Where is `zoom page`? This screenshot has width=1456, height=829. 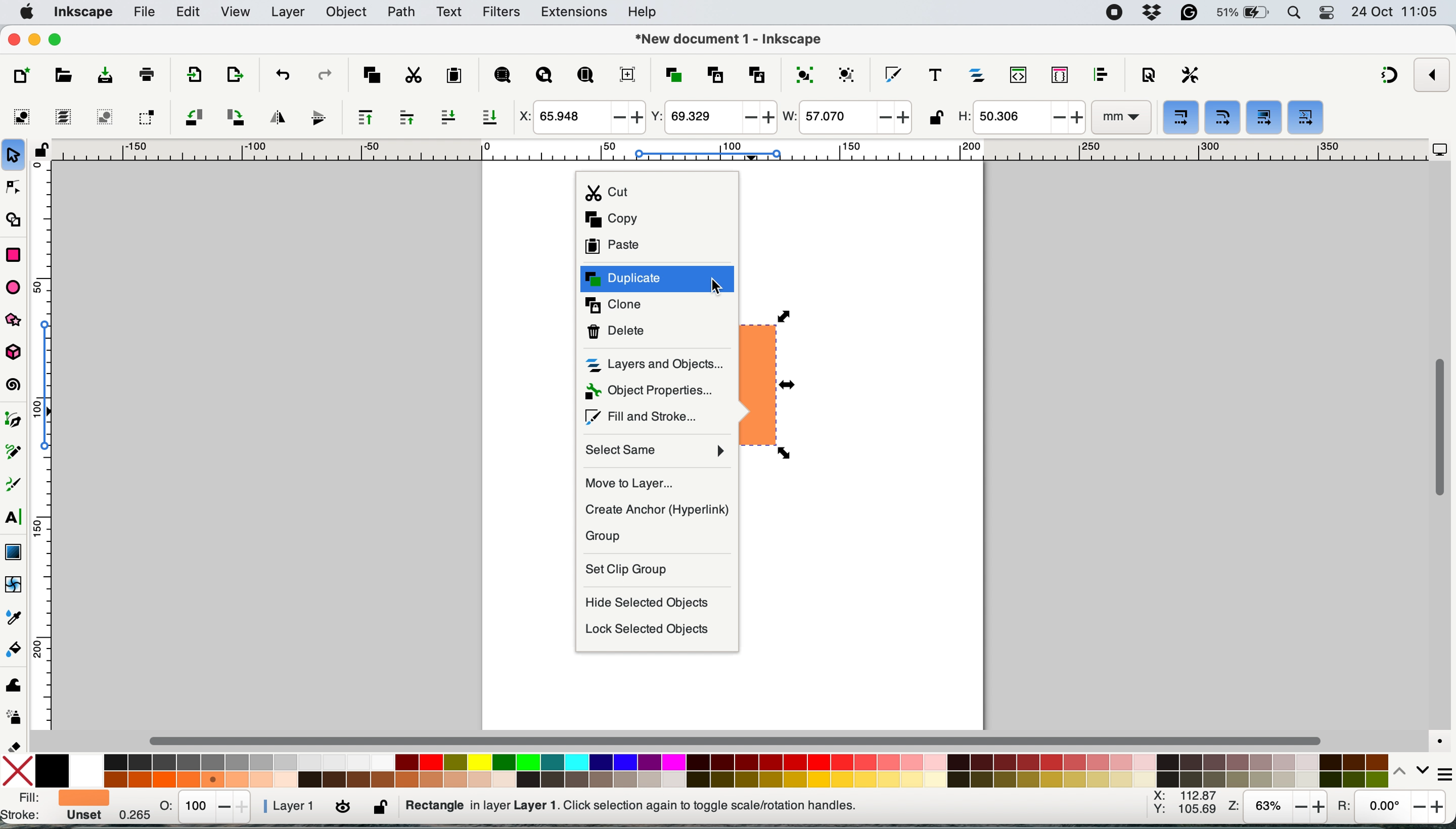 zoom page is located at coordinates (585, 76).